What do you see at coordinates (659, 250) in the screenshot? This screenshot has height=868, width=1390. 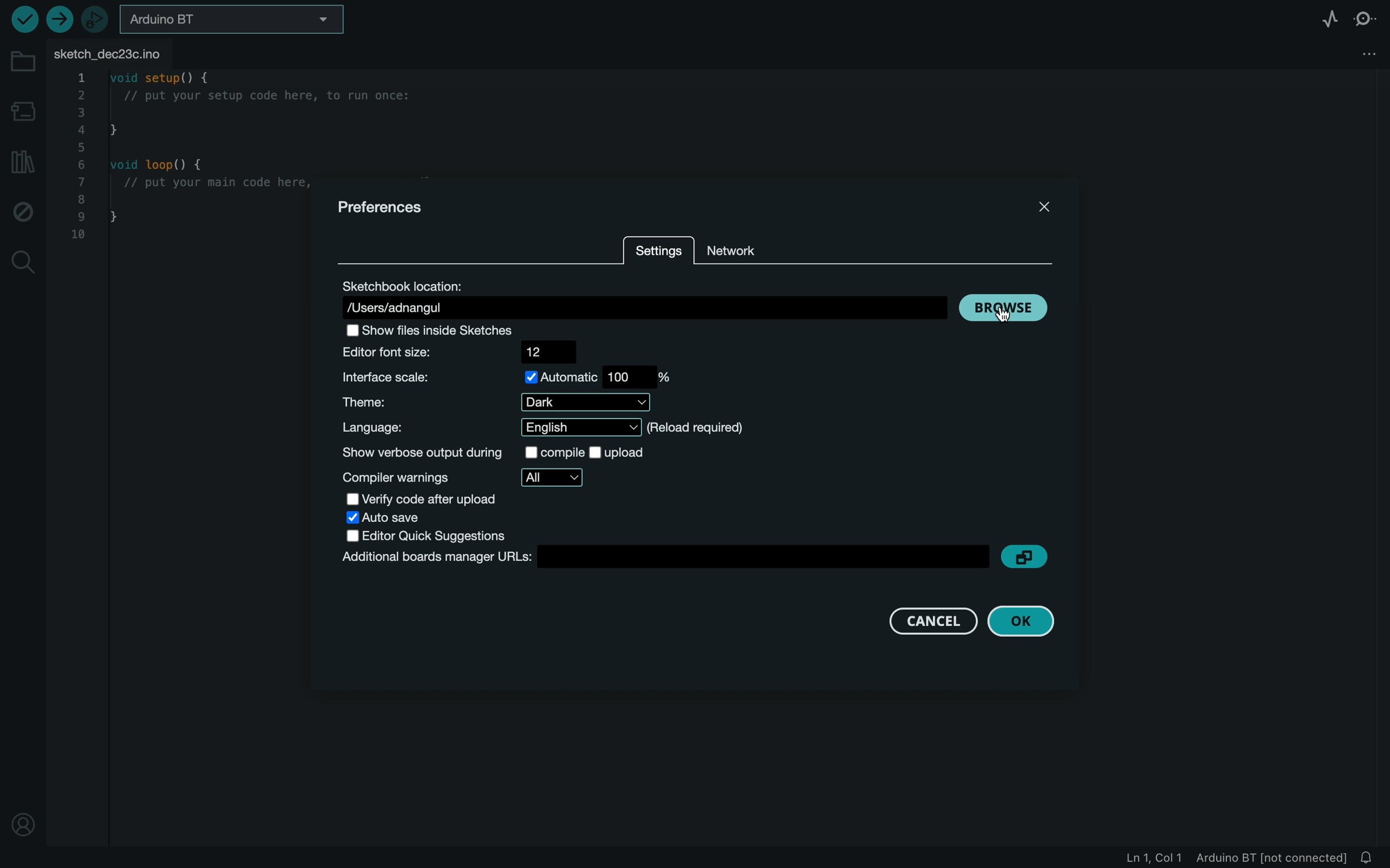 I see `settings` at bounding box center [659, 250].